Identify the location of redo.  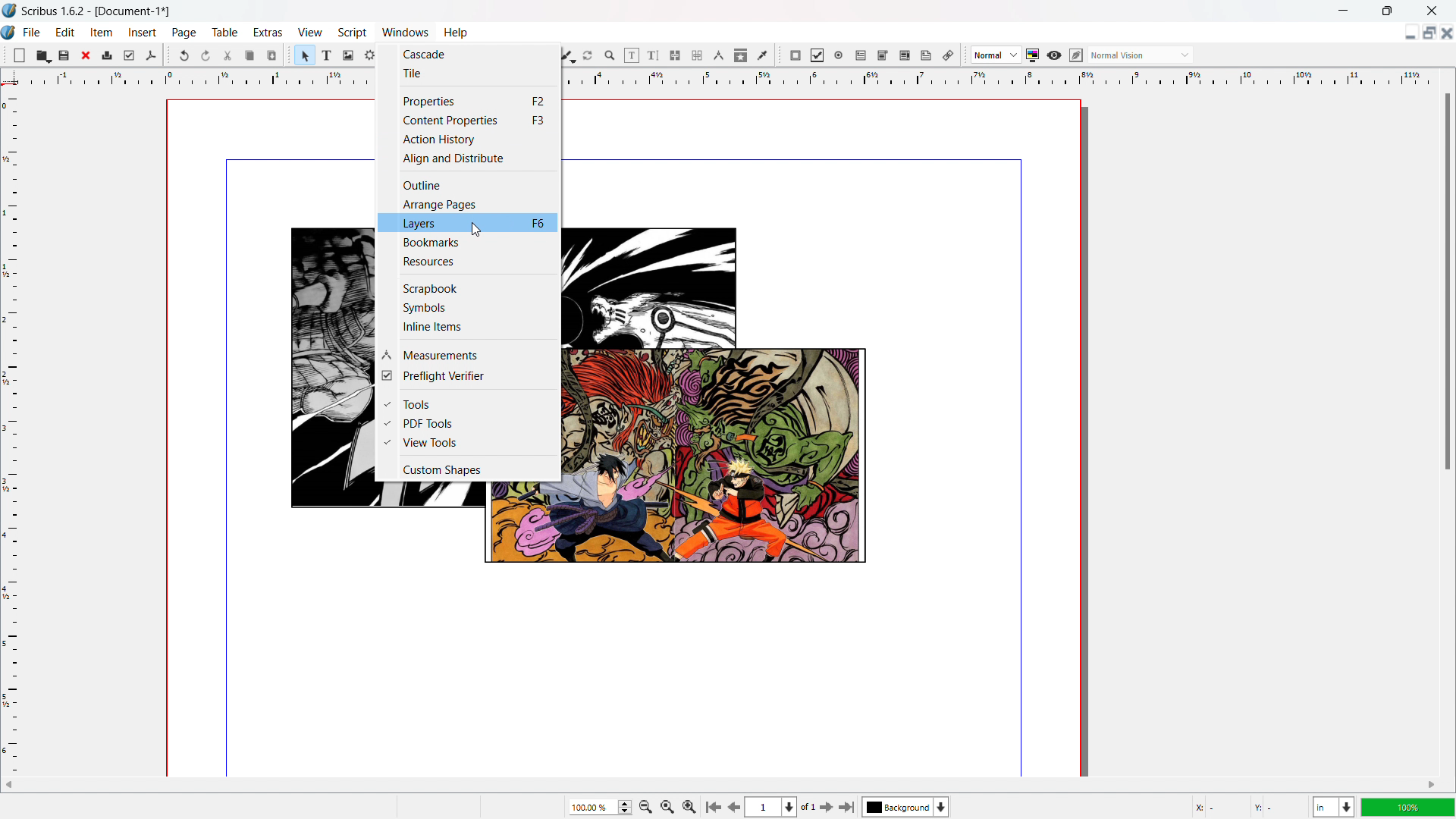
(206, 55).